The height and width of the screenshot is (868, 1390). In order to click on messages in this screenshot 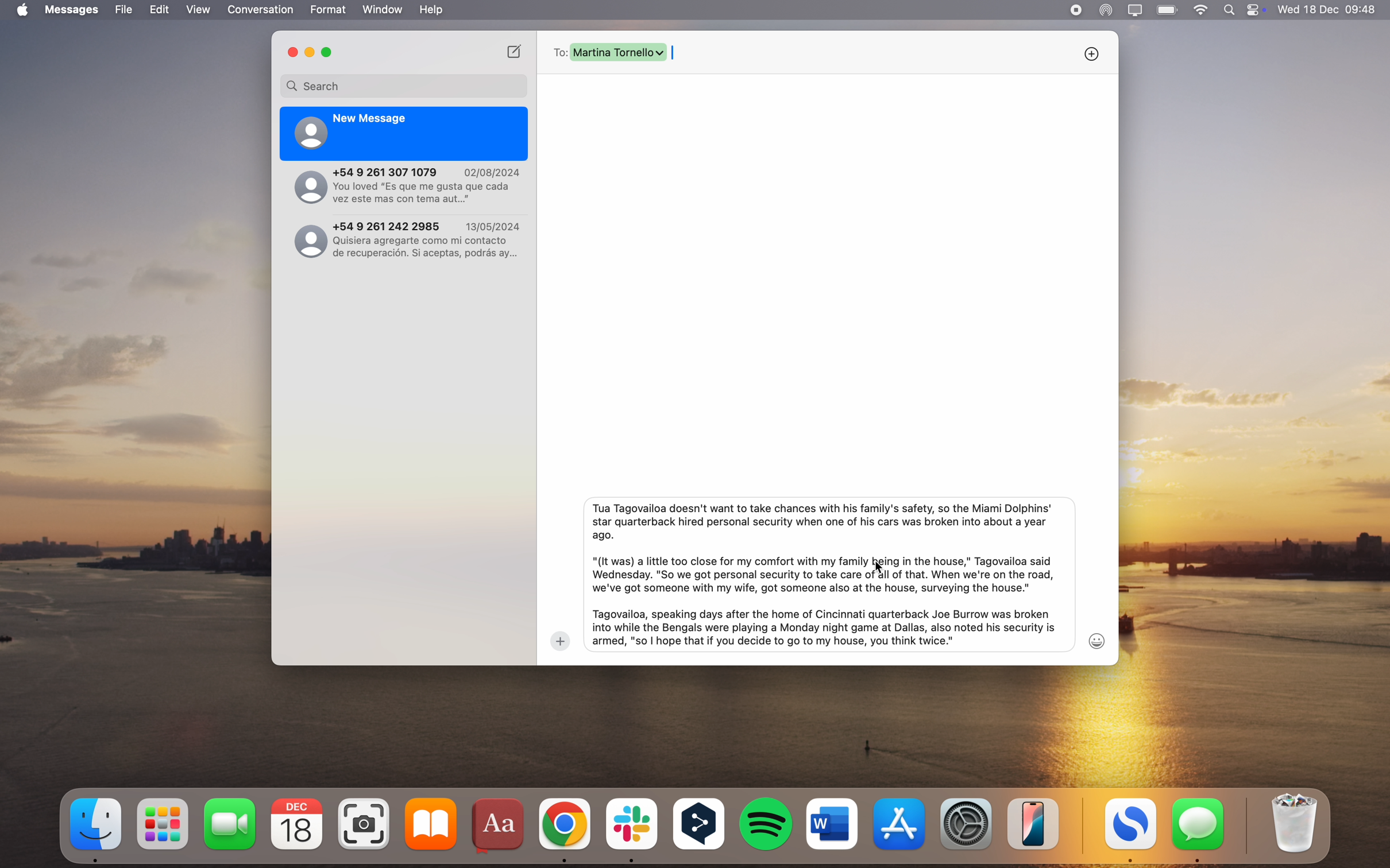, I will do `click(1199, 830)`.